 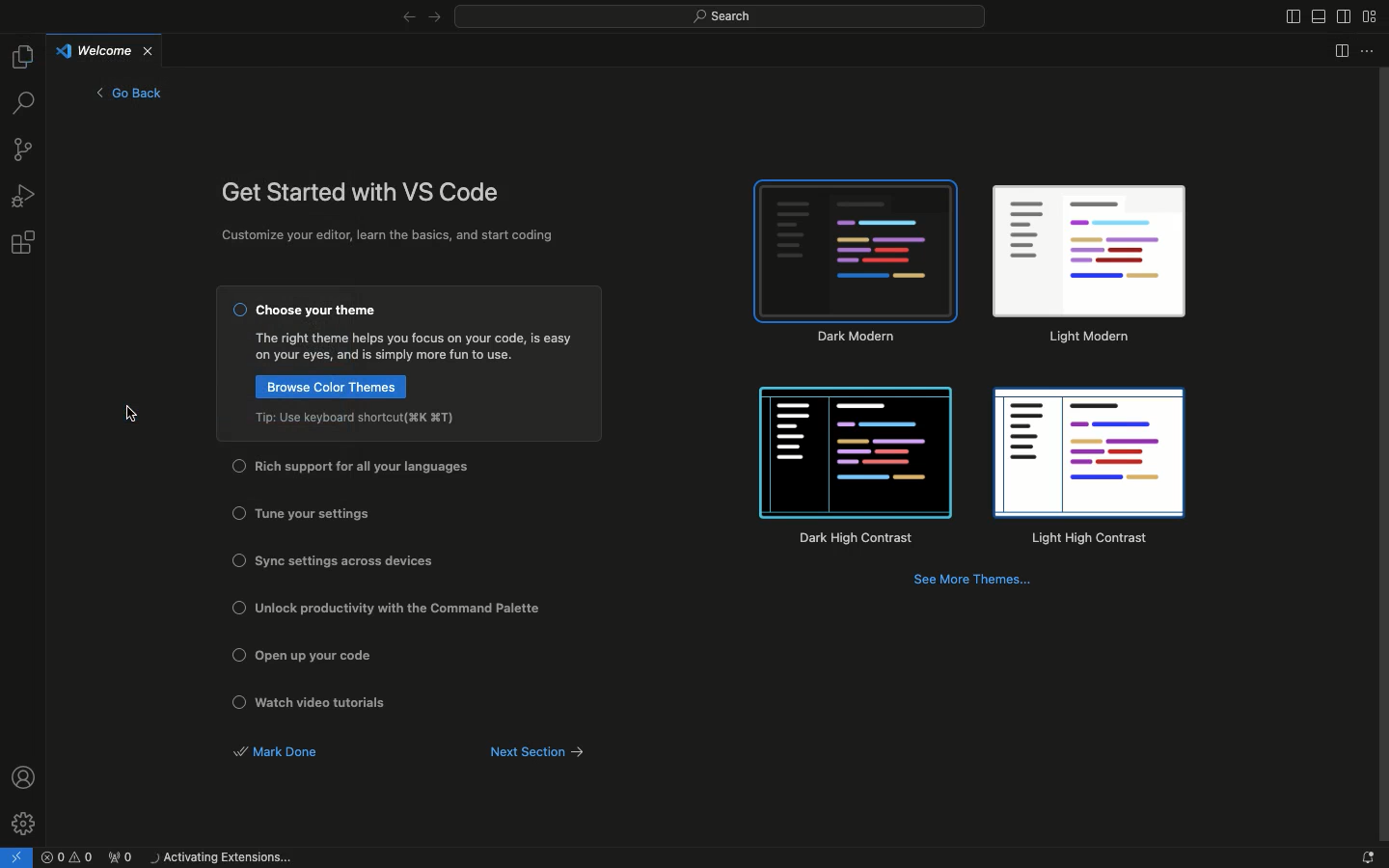 I want to click on Light high contrast, so click(x=1087, y=470).